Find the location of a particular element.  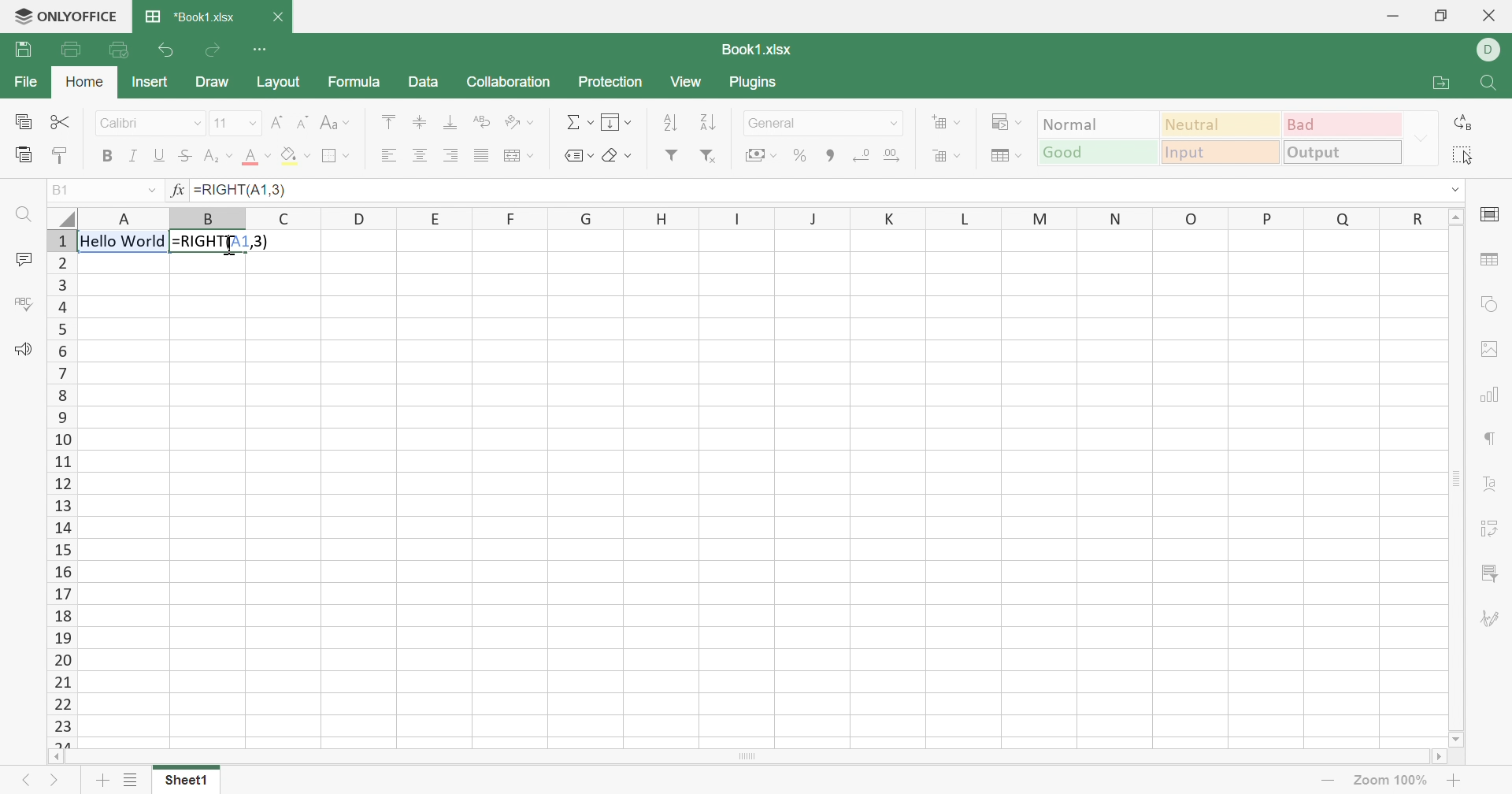

Scroll Left is located at coordinates (59, 756).